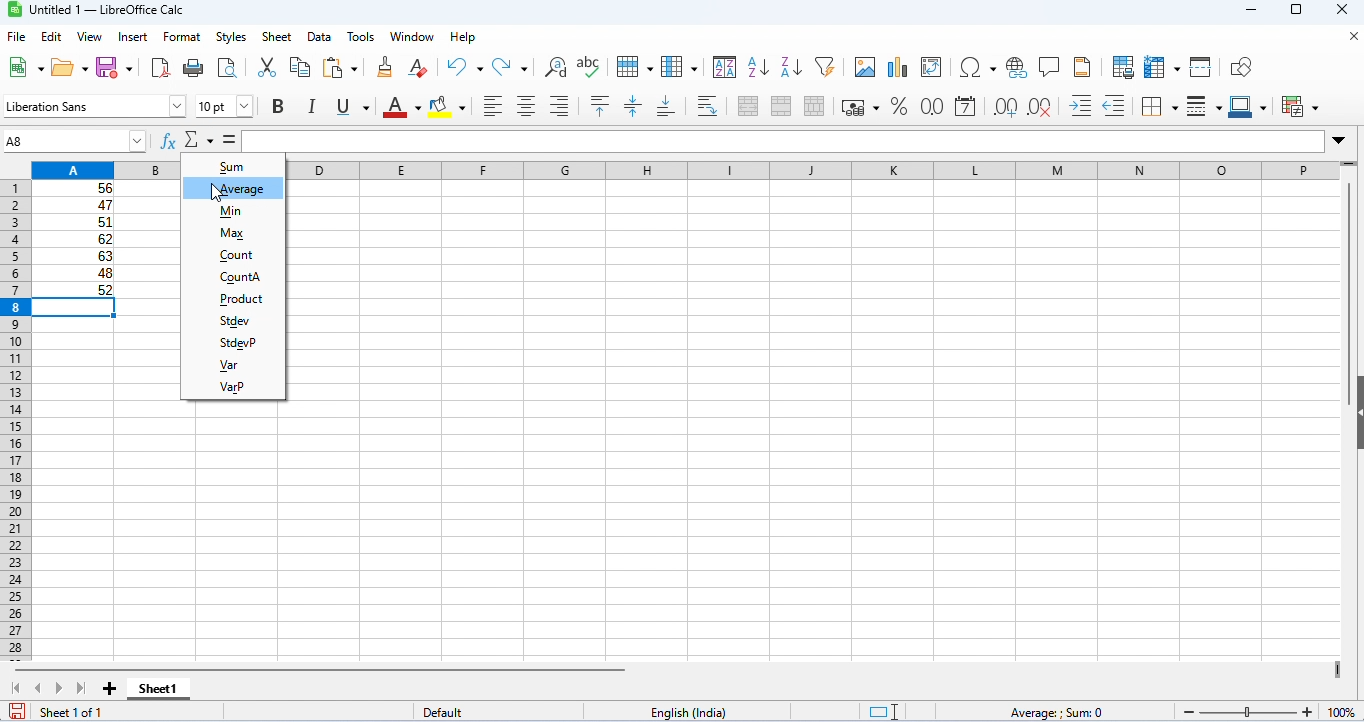  Describe the element at coordinates (781, 106) in the screenshot. I see `merge cells` at that location.